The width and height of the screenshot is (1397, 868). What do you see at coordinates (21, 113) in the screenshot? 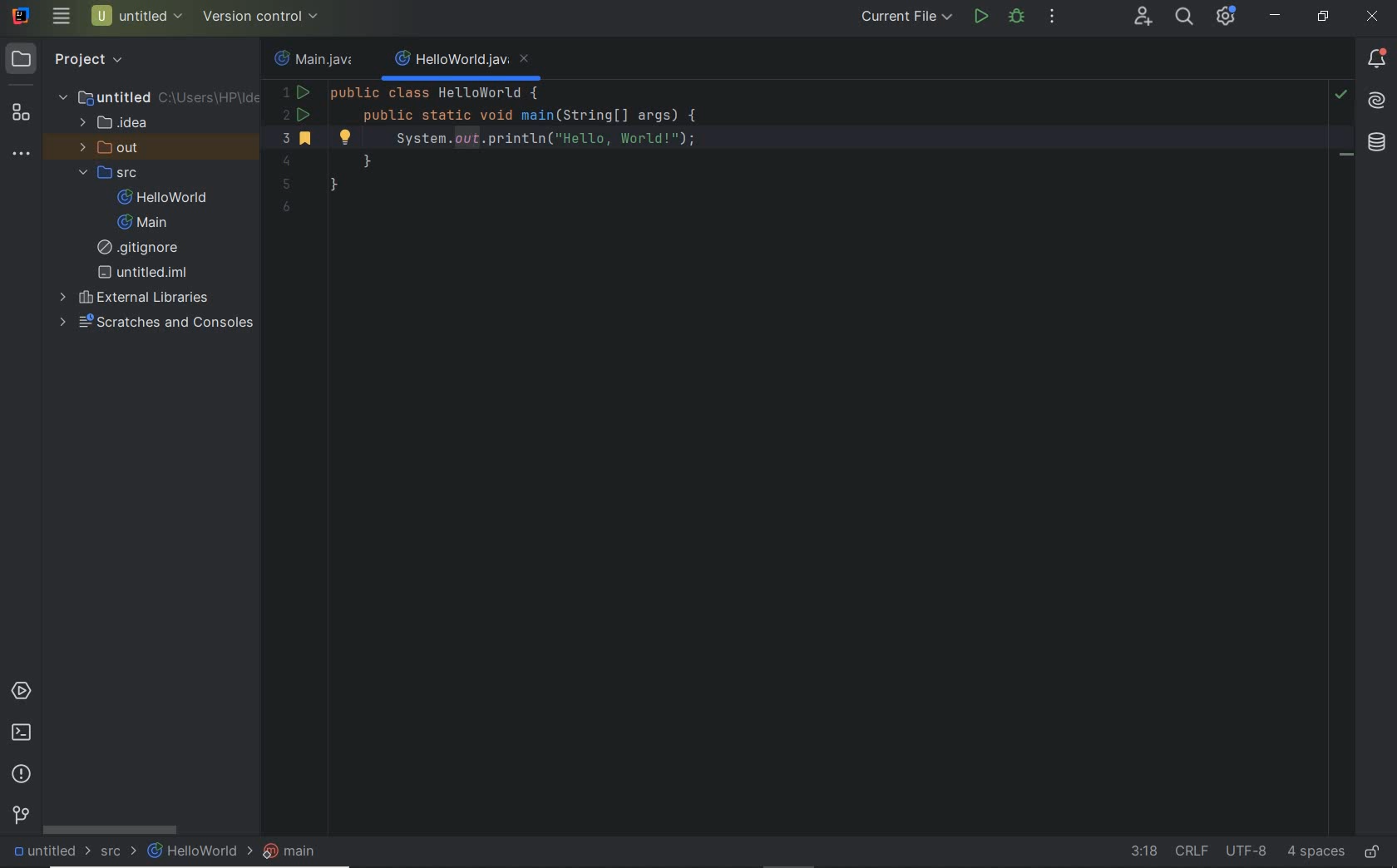
I see `structure` at bounding box center [21, 113].